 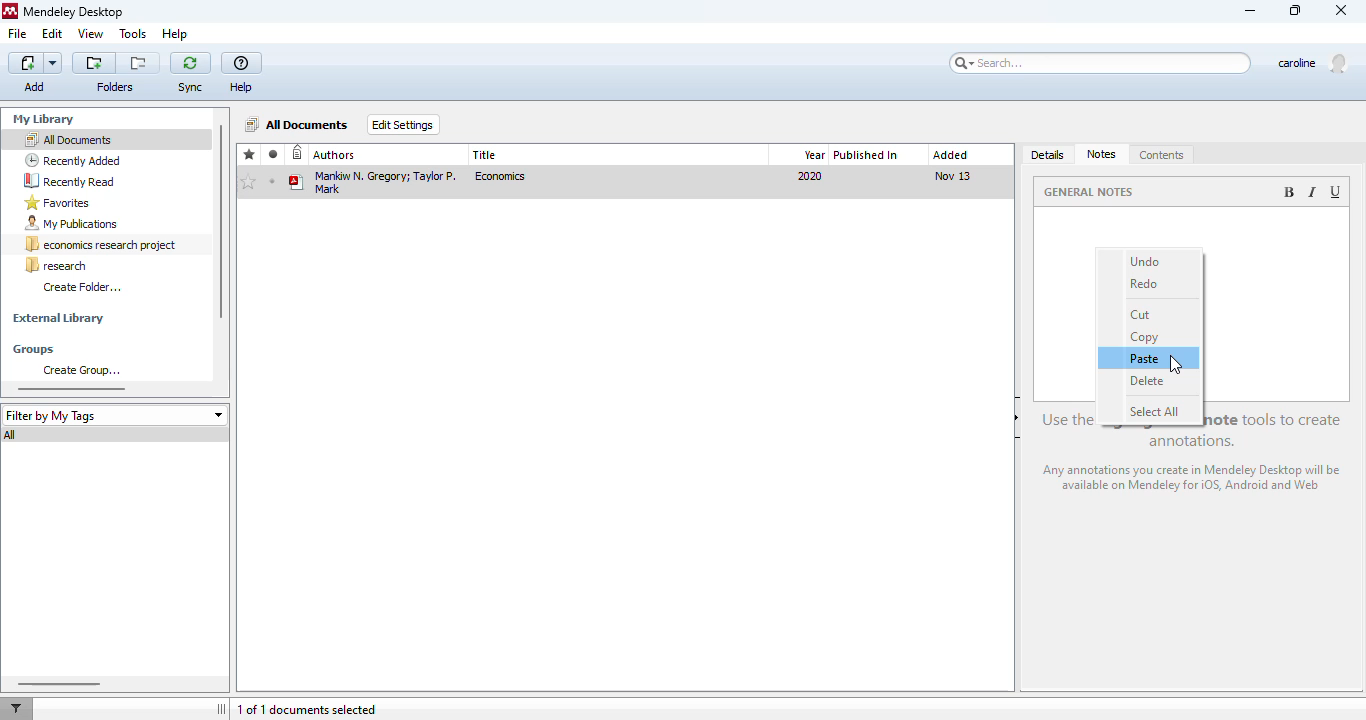 I want to click on use the highlight and note tools to create annotations., so click(x=1194, y=440).